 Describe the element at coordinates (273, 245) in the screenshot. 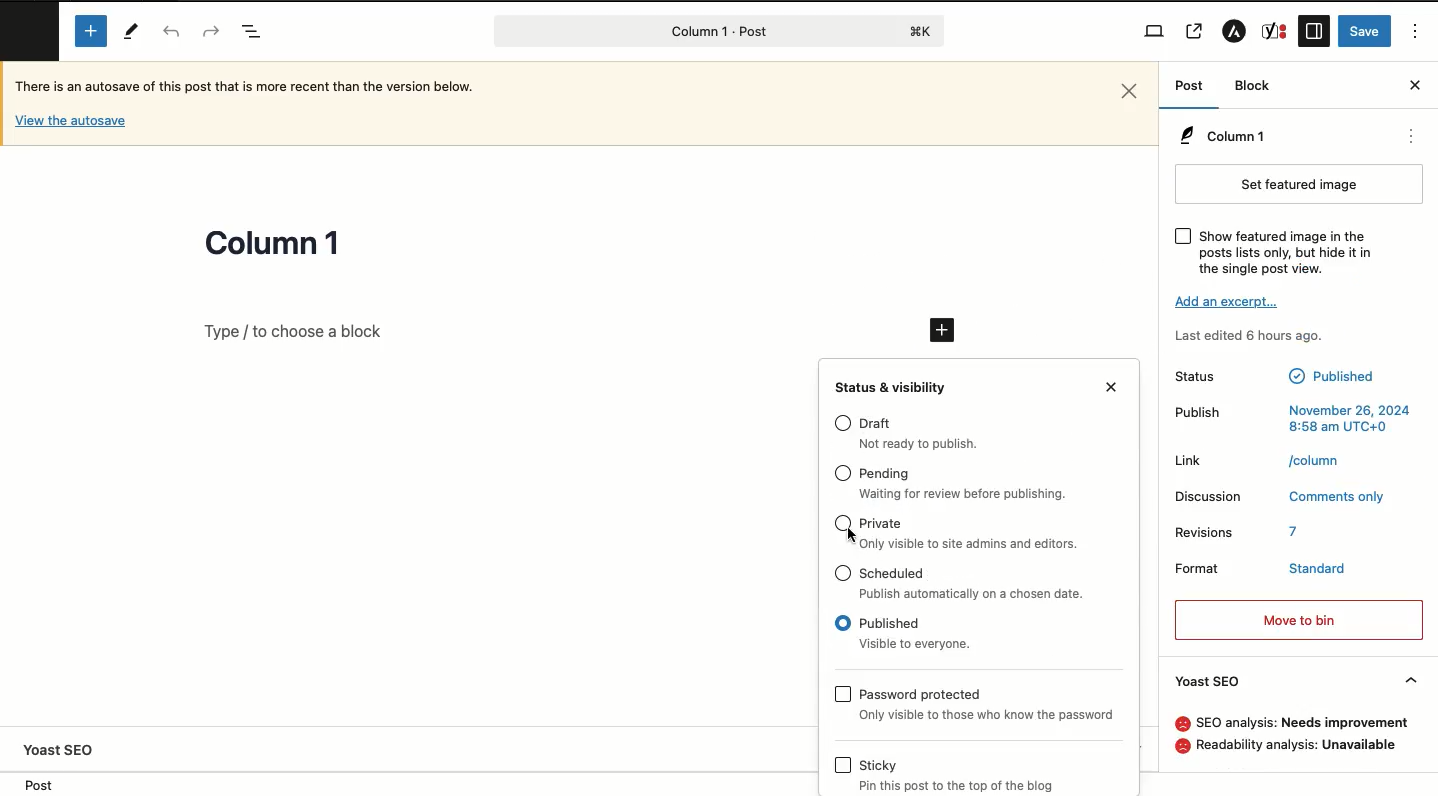

I see `Title` at that location.